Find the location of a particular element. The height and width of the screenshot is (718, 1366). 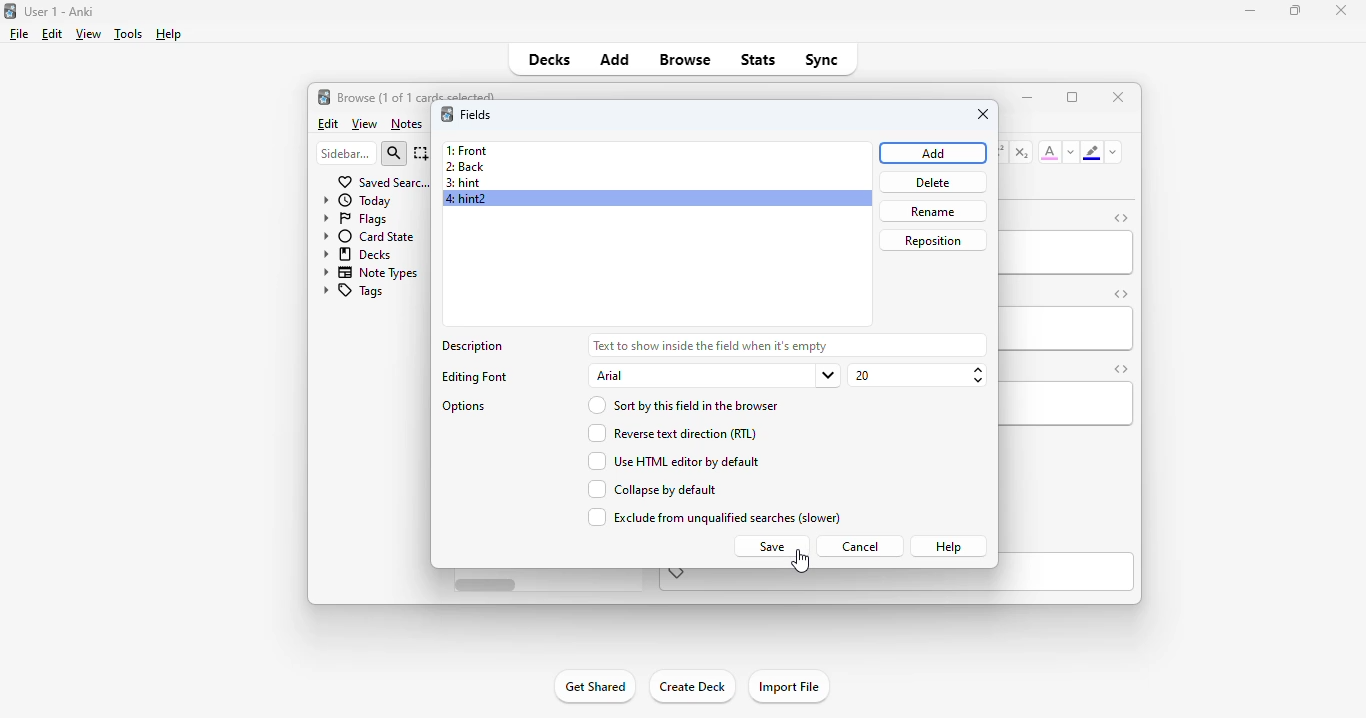

tags is located at coordinates (352, 292).